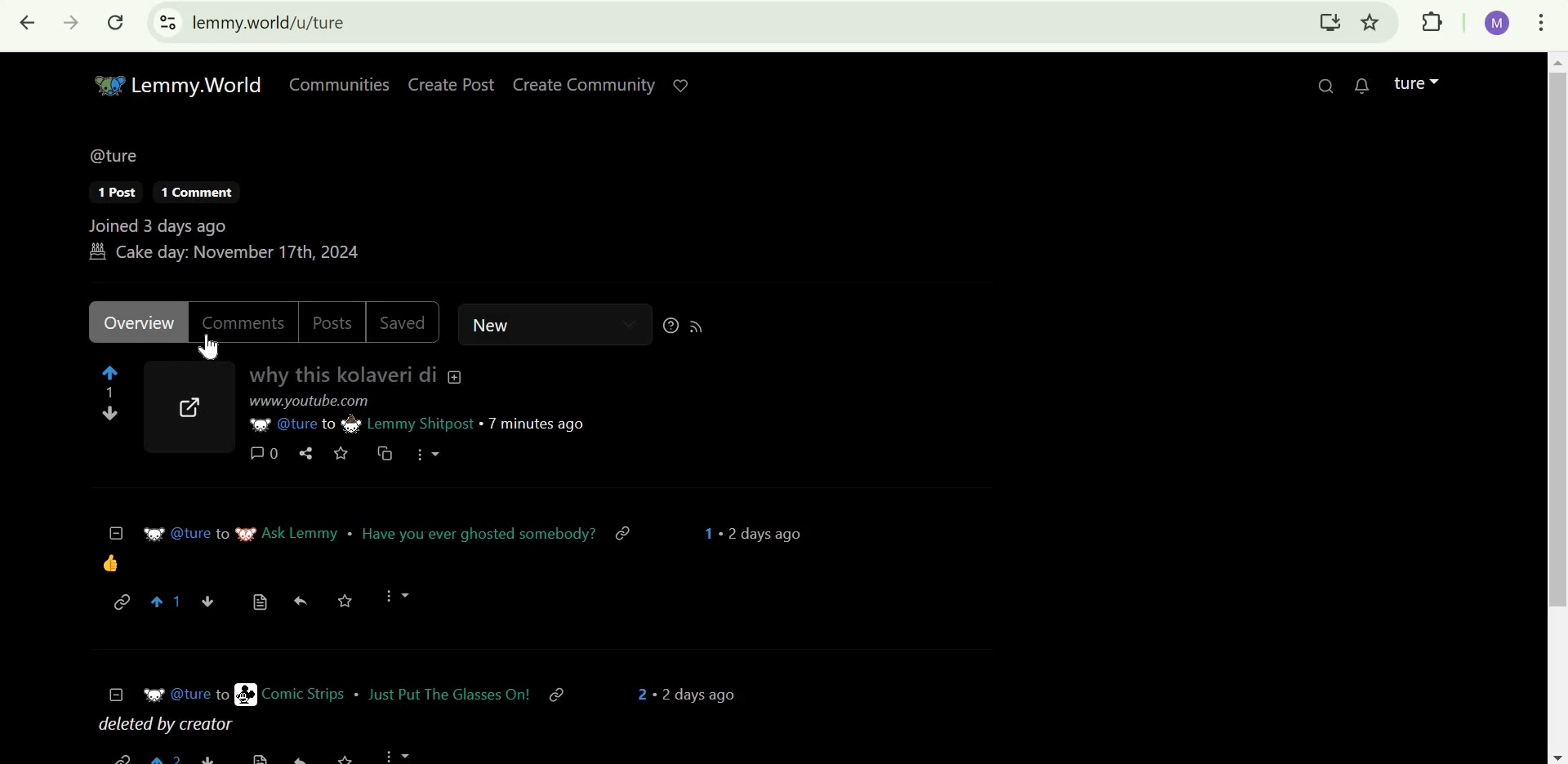 This screenshot has height=764, width=1568. Describe the element at coordinates (479, 535) in the screenshot. I see `post headline` at that location.